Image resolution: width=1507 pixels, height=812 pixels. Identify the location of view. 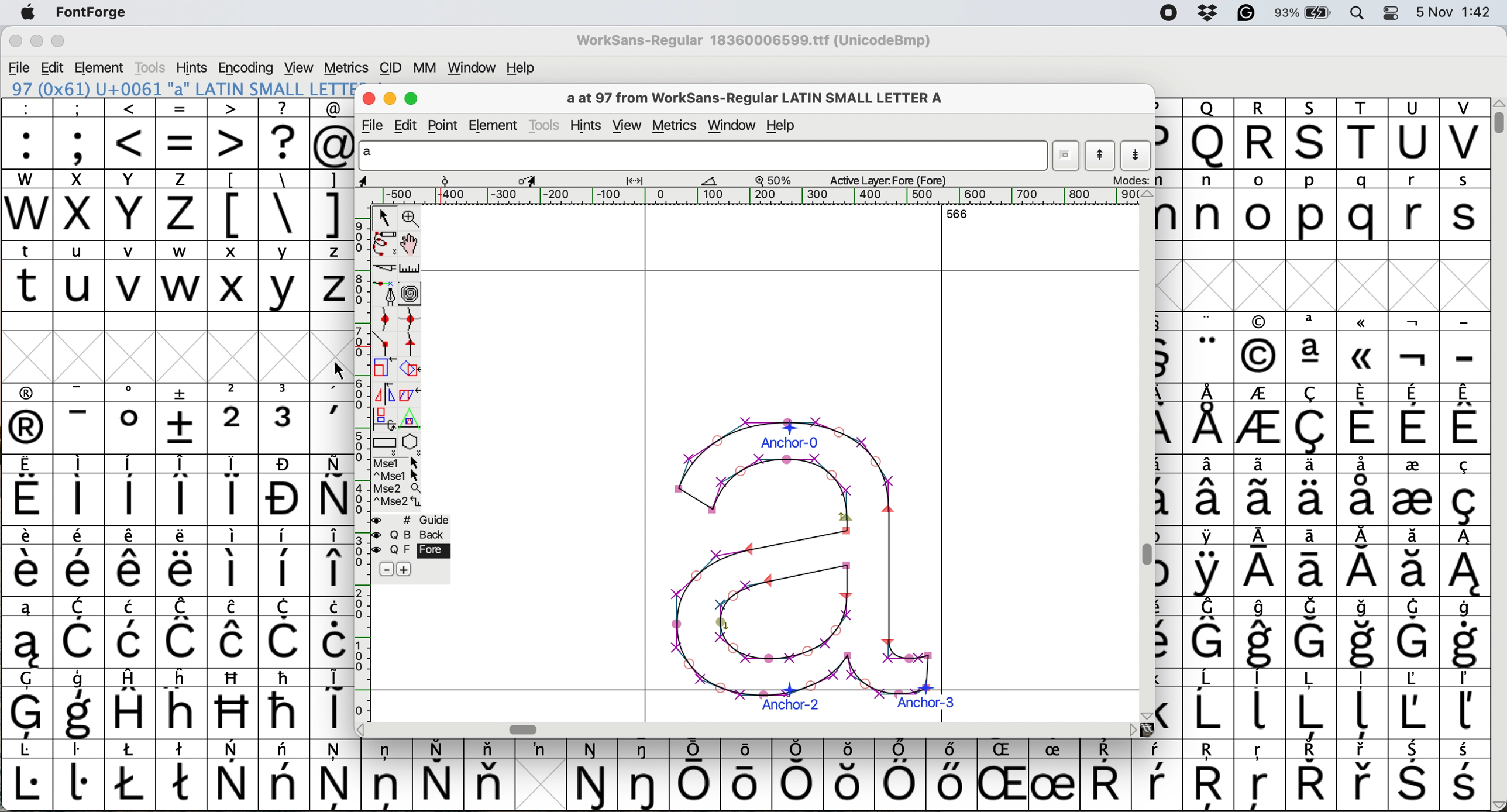
(297, 66).